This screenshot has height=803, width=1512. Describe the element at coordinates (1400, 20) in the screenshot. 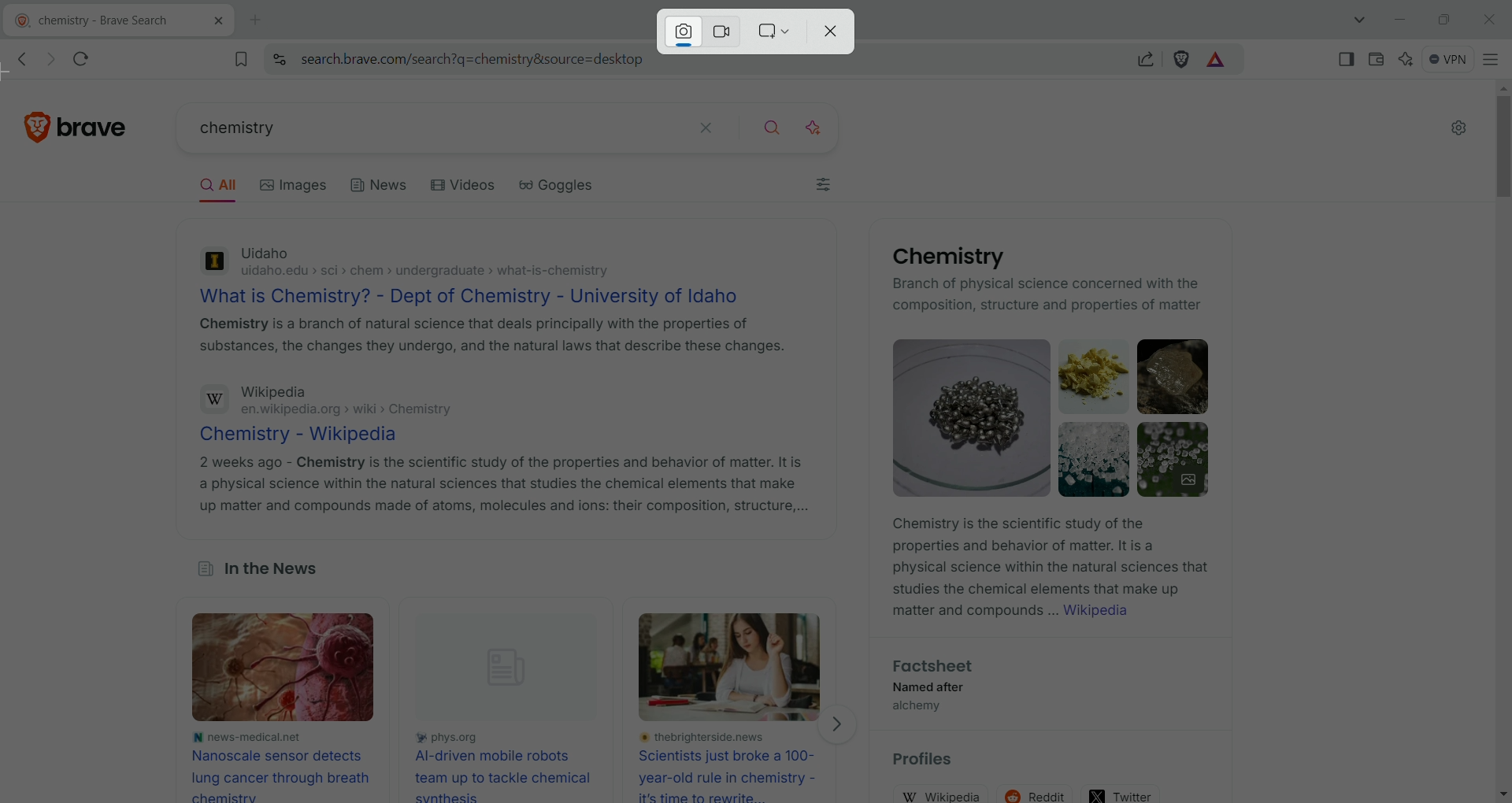

I see `minimize` at that location.